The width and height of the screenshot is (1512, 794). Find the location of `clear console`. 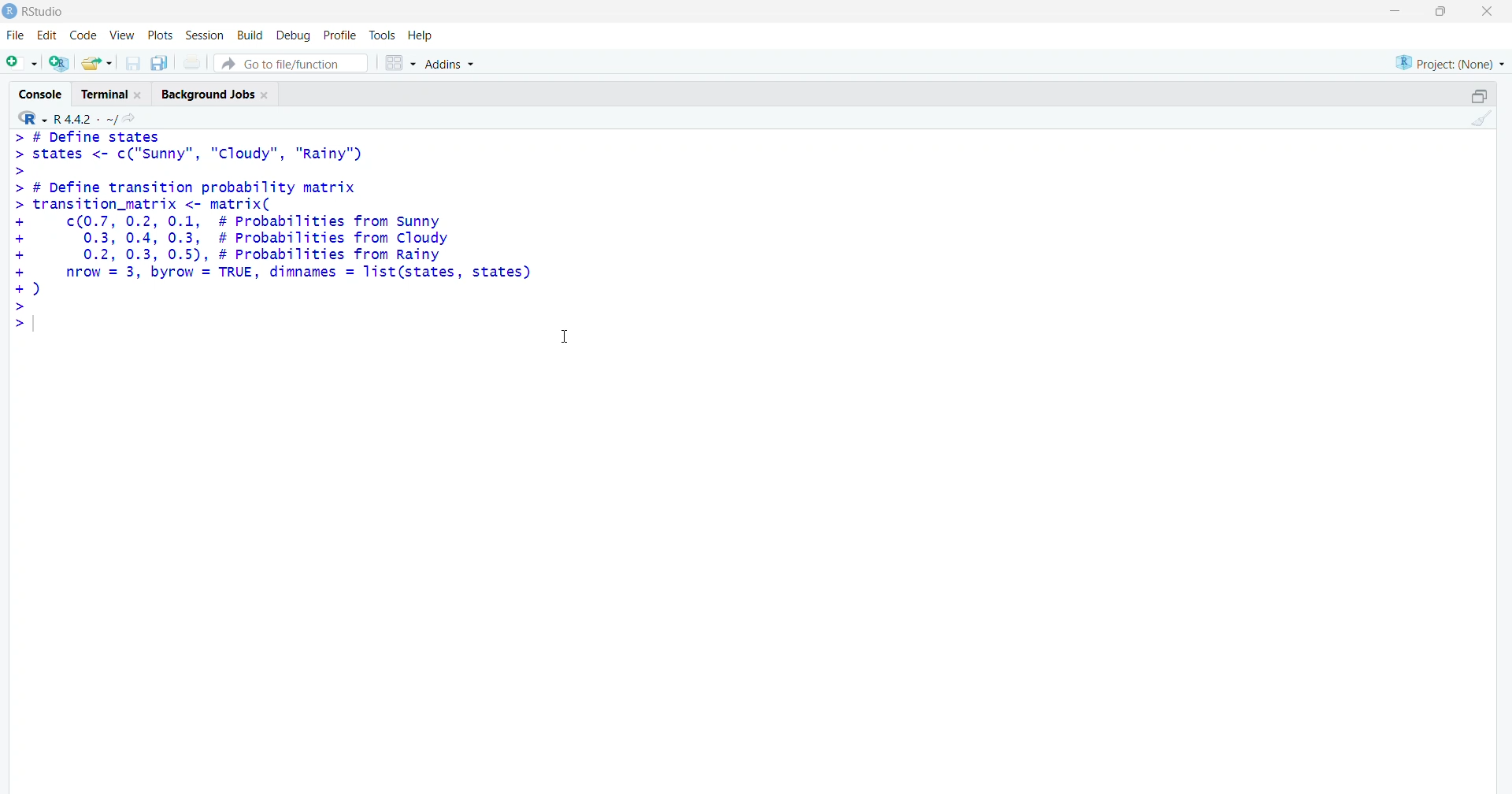

clear console is located at coordinates (1482, 119).